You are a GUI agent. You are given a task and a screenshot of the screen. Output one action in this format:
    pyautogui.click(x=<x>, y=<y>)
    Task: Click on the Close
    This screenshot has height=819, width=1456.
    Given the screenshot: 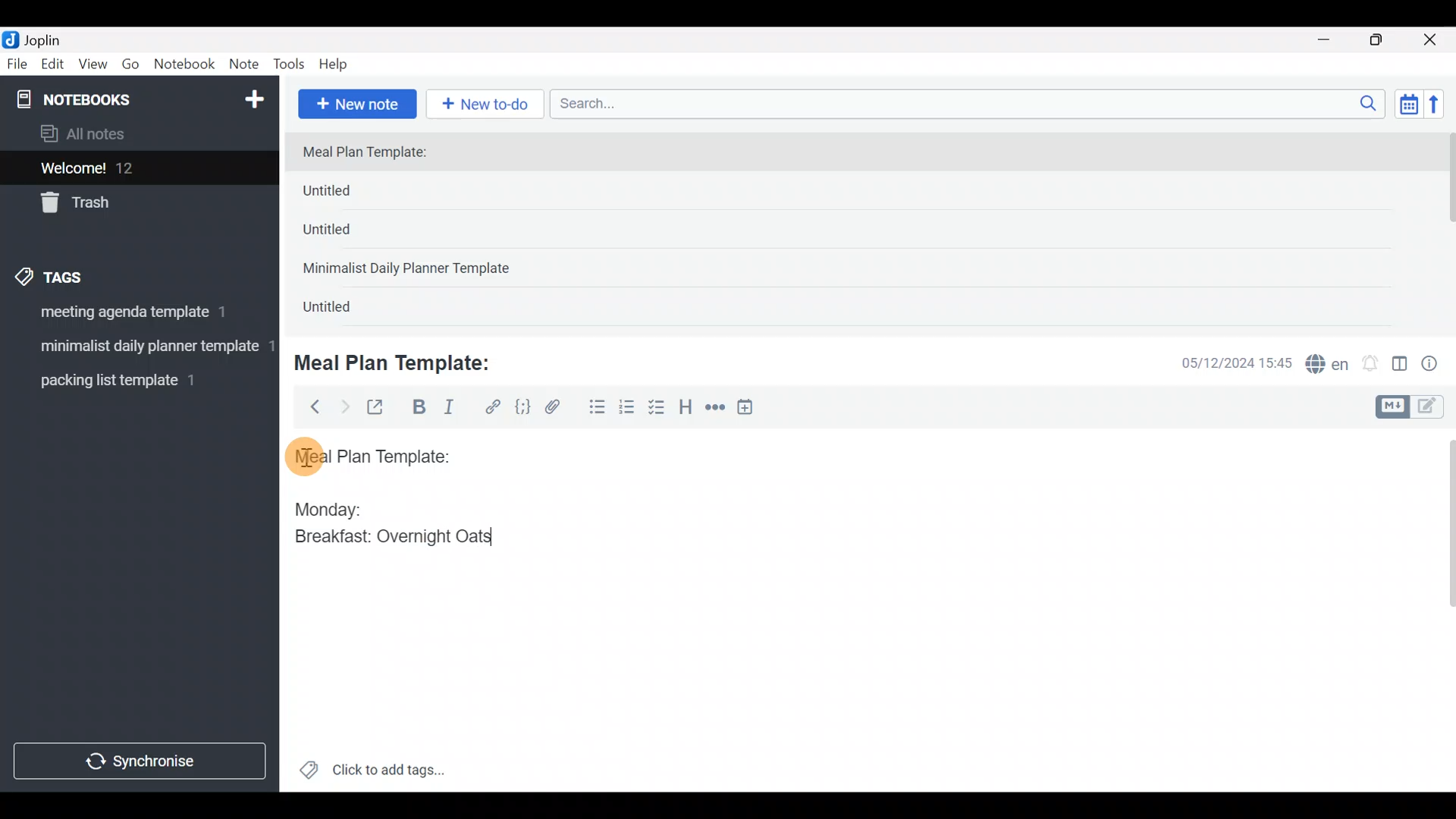 What is the action you would take?
    pyautogui.click(x=1432, y=41)
    